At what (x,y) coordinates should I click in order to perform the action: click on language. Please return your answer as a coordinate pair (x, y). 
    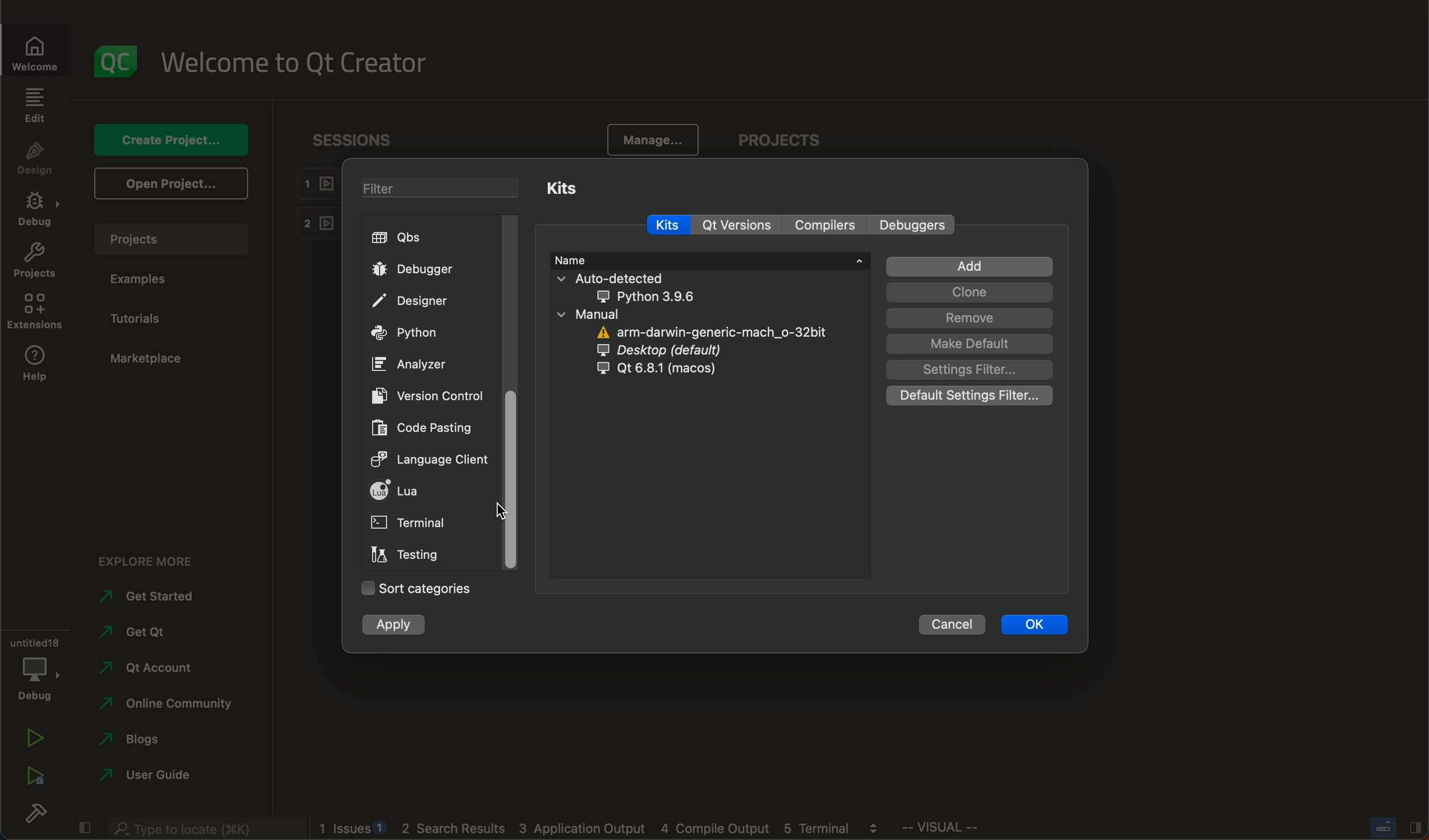
    Looking at the image, I should click on (433, 461).